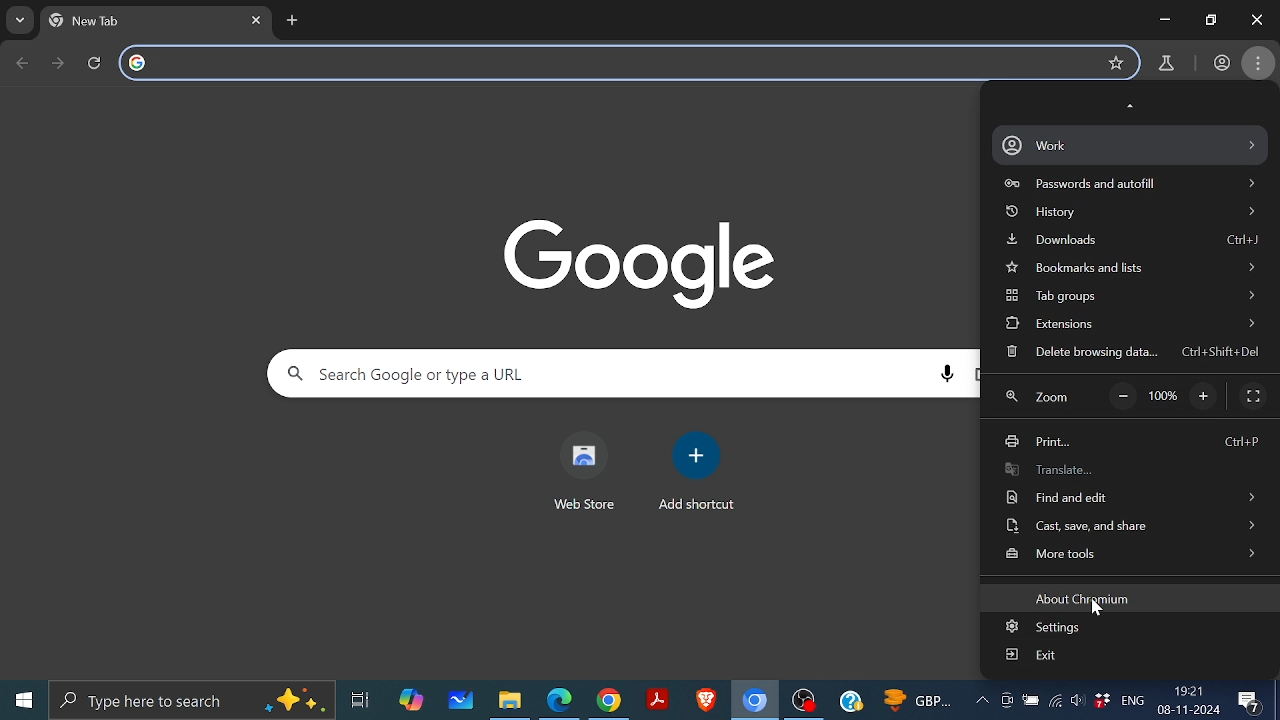 This screenshot has width=1280, height=720. Describe the element at coordinates (646, 261) in the screenshot. I see `Google Icon` at that location.